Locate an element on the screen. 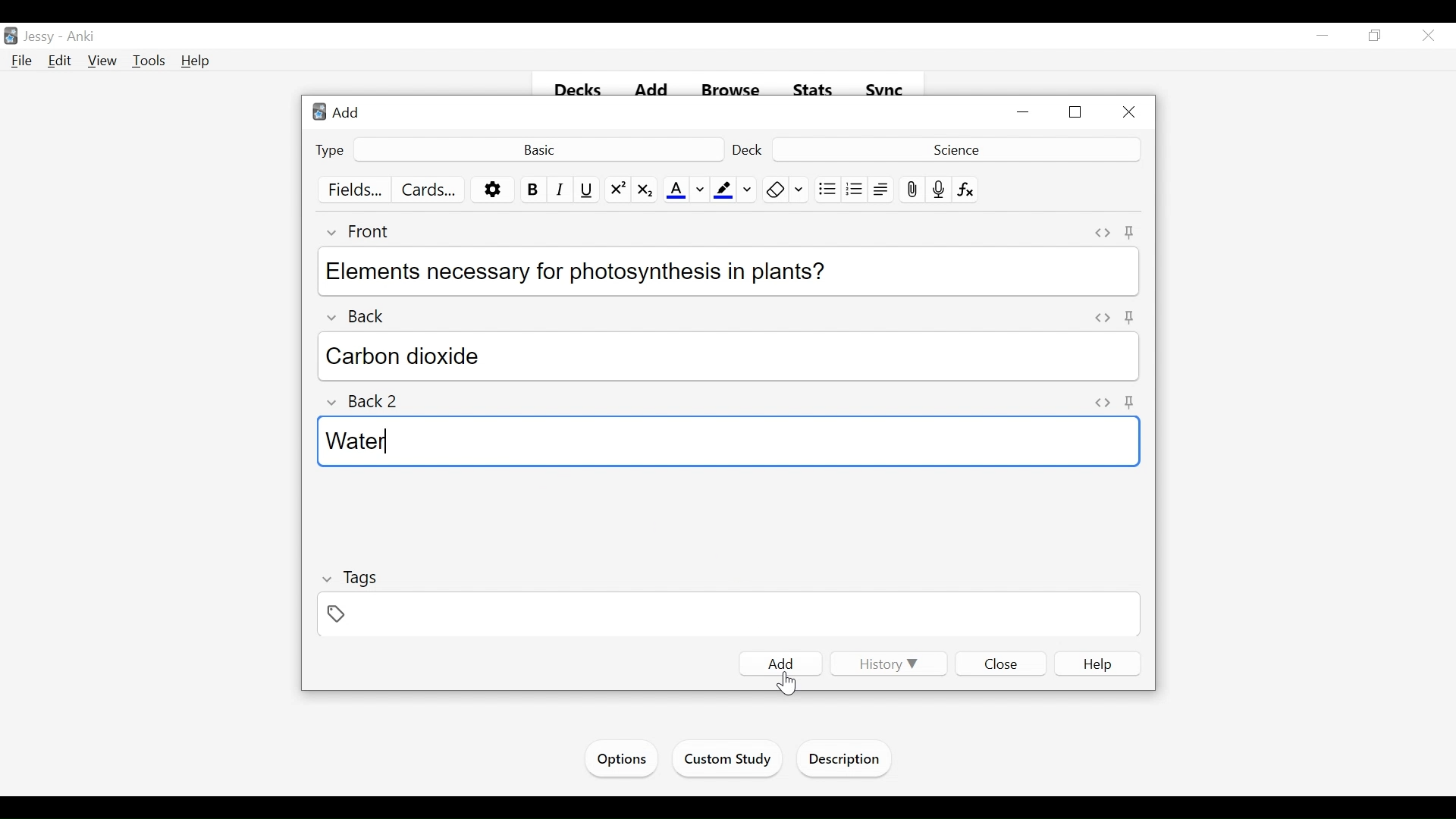  Browse is located at coordinates (733, 91).